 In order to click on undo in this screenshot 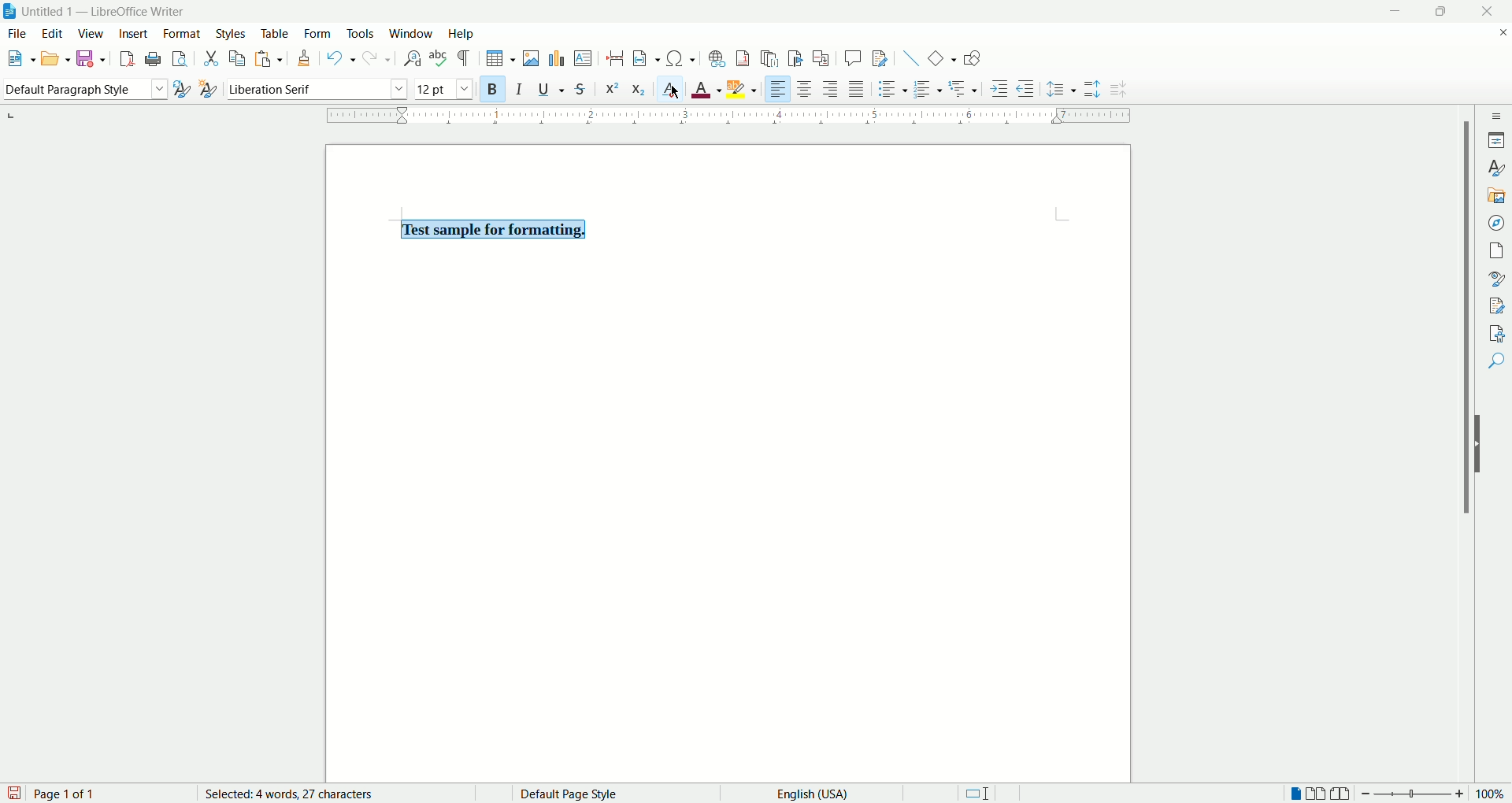, I will do `click(341, 58)`.